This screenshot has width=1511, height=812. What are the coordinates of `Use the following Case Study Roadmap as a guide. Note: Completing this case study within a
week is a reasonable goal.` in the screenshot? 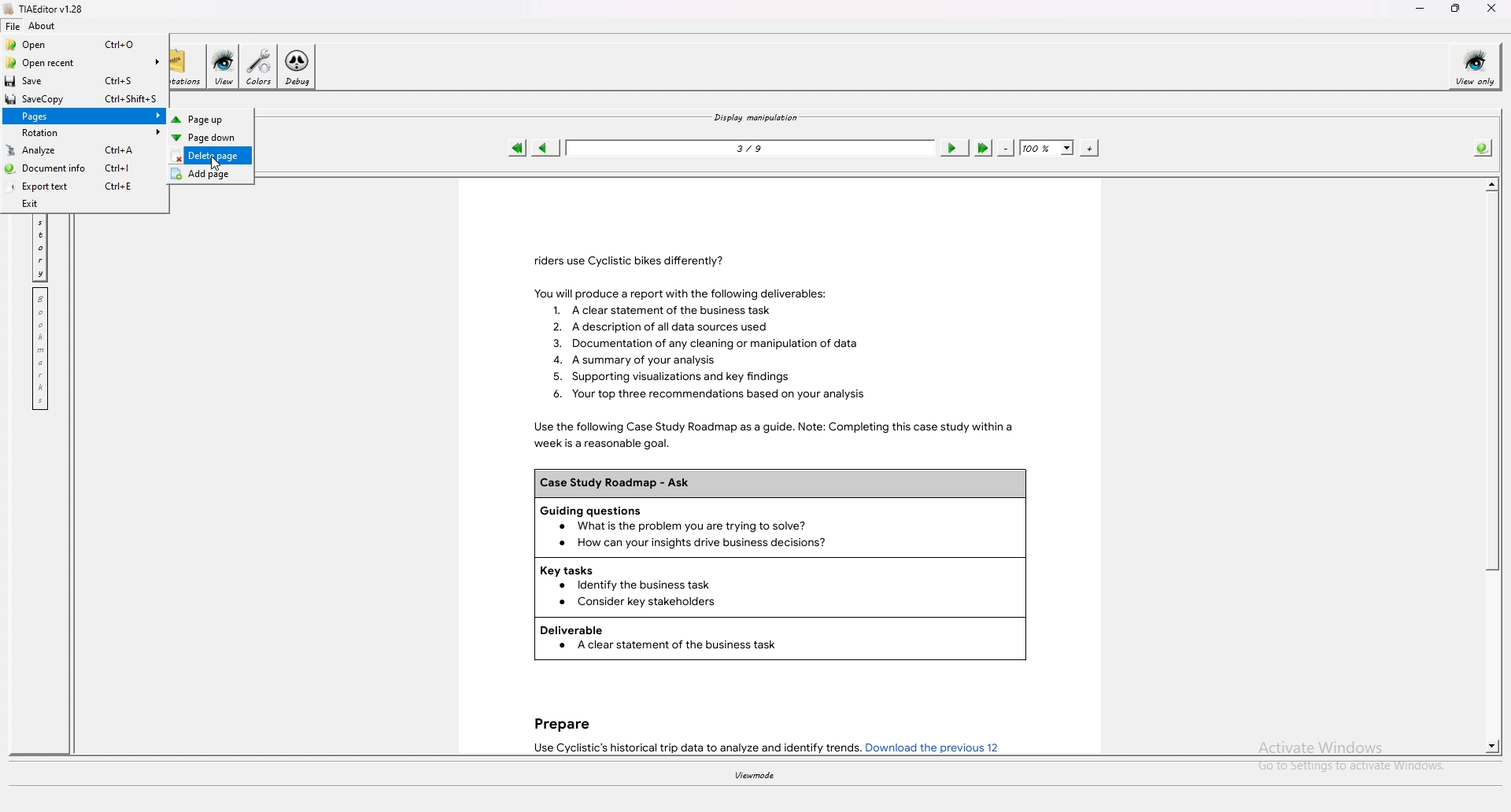 It's located at (768, 435).